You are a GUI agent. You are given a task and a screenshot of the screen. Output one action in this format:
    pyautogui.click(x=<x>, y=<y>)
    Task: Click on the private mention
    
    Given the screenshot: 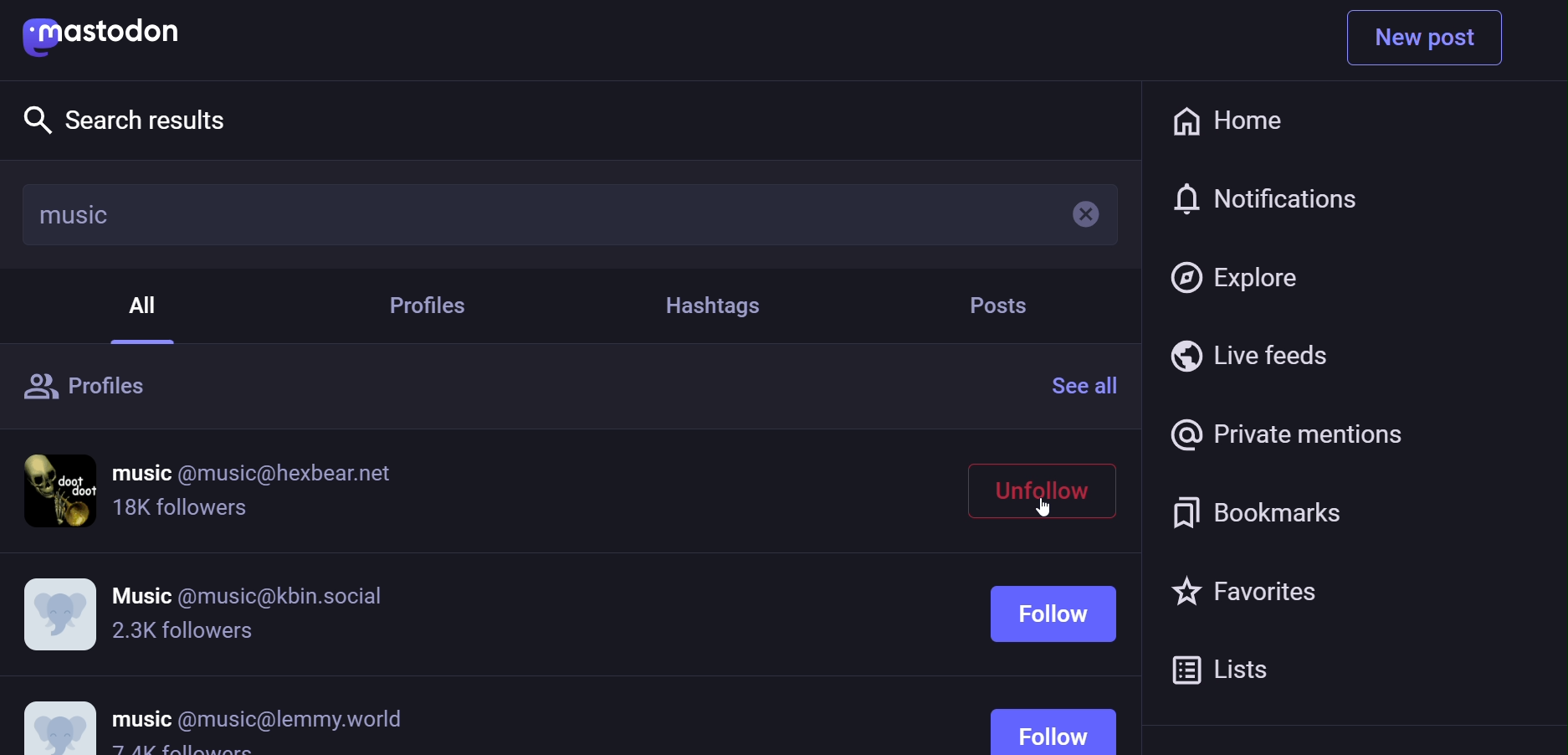 What is the action you would take?
    pyautogui.click(x=1284, y=434)
    